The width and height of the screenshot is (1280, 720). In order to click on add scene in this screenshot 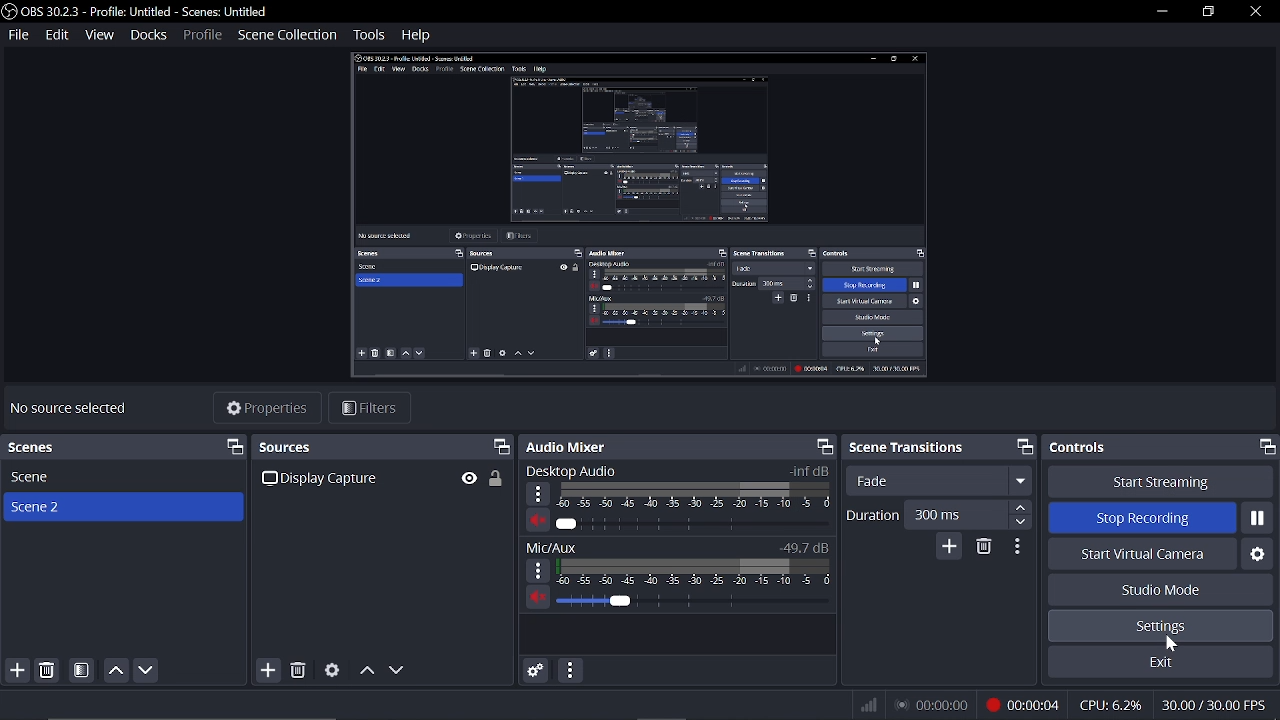, I will do `click(15, 672)`.